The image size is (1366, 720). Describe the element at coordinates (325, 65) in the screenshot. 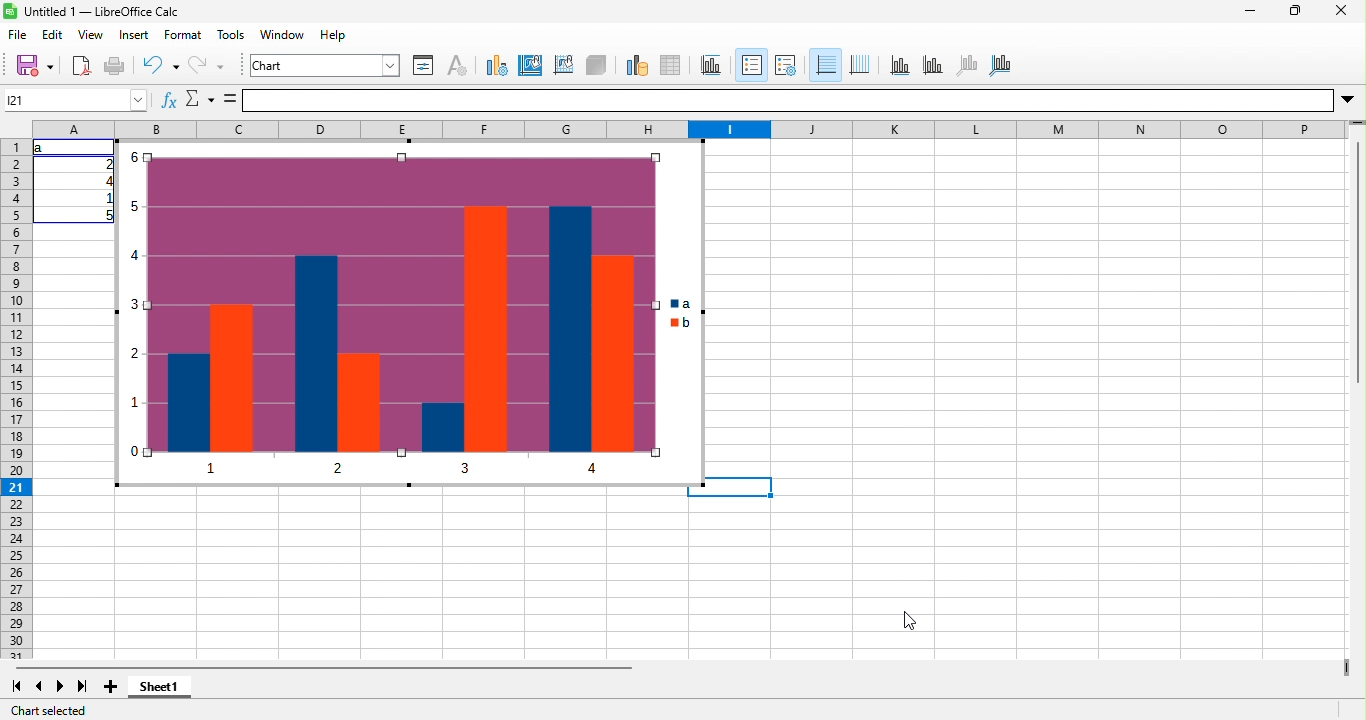

I see `chart area` at that location.